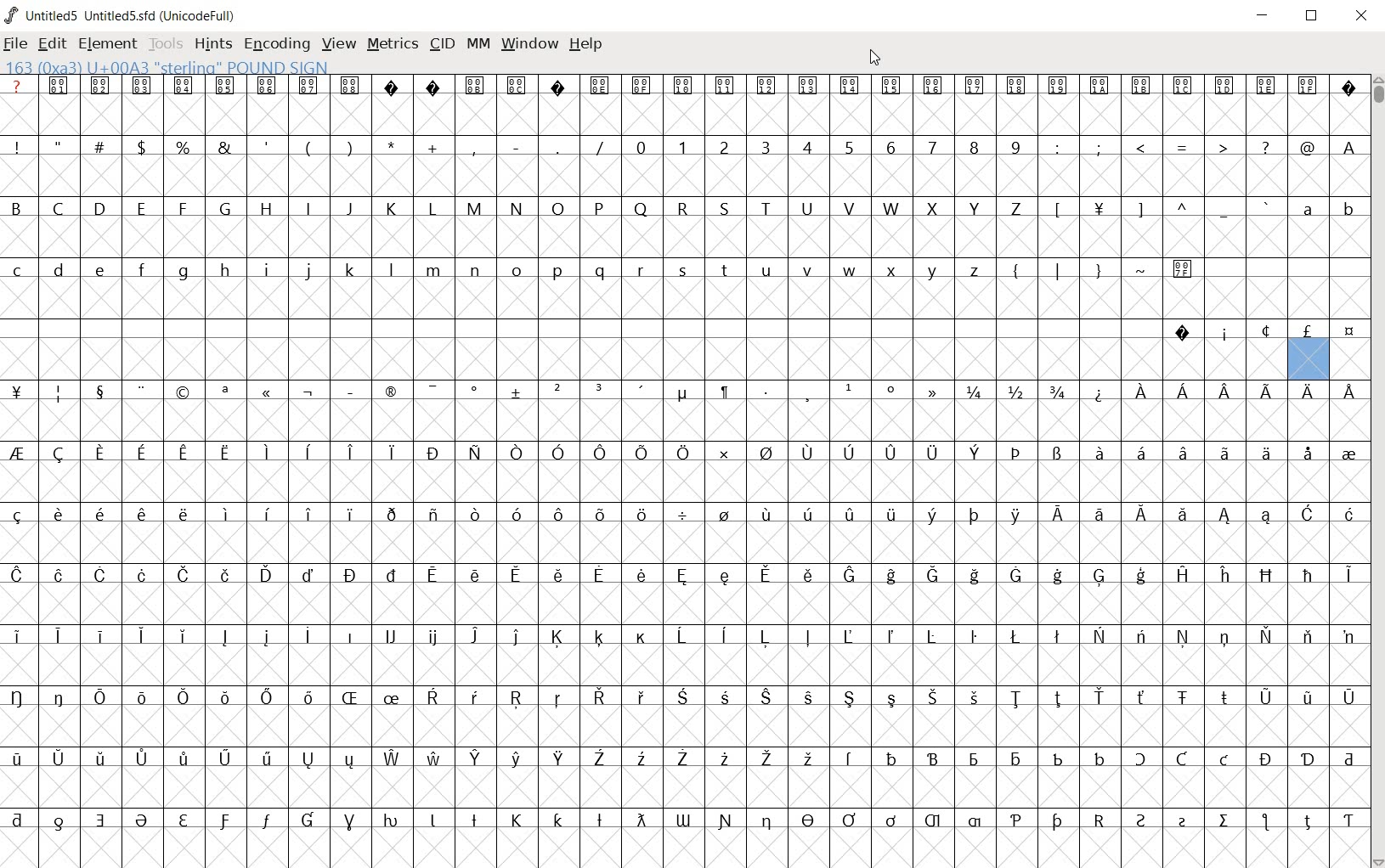 This screenshot has height=868, width=1385. What do you see at coordinates (891, 392) in the screenshot?
I see `Symbol` at bounding box center [891, 392].